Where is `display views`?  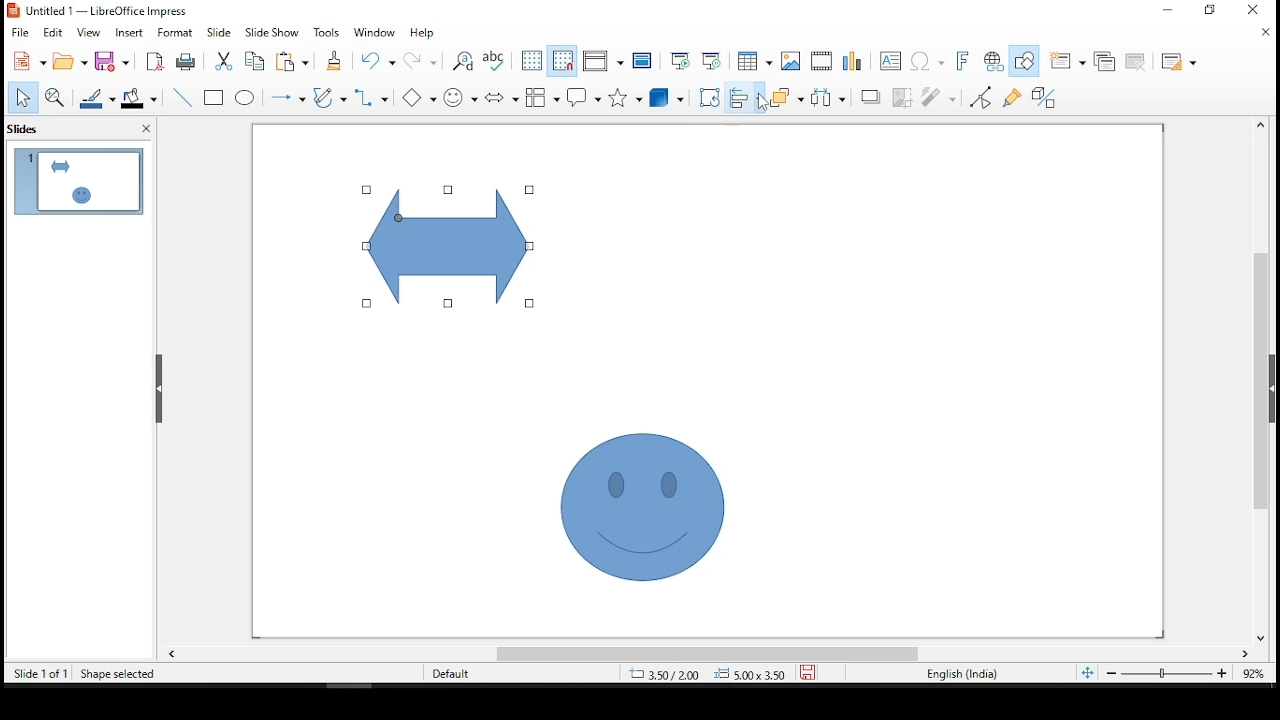 display views is located at coordinates (603, 61).